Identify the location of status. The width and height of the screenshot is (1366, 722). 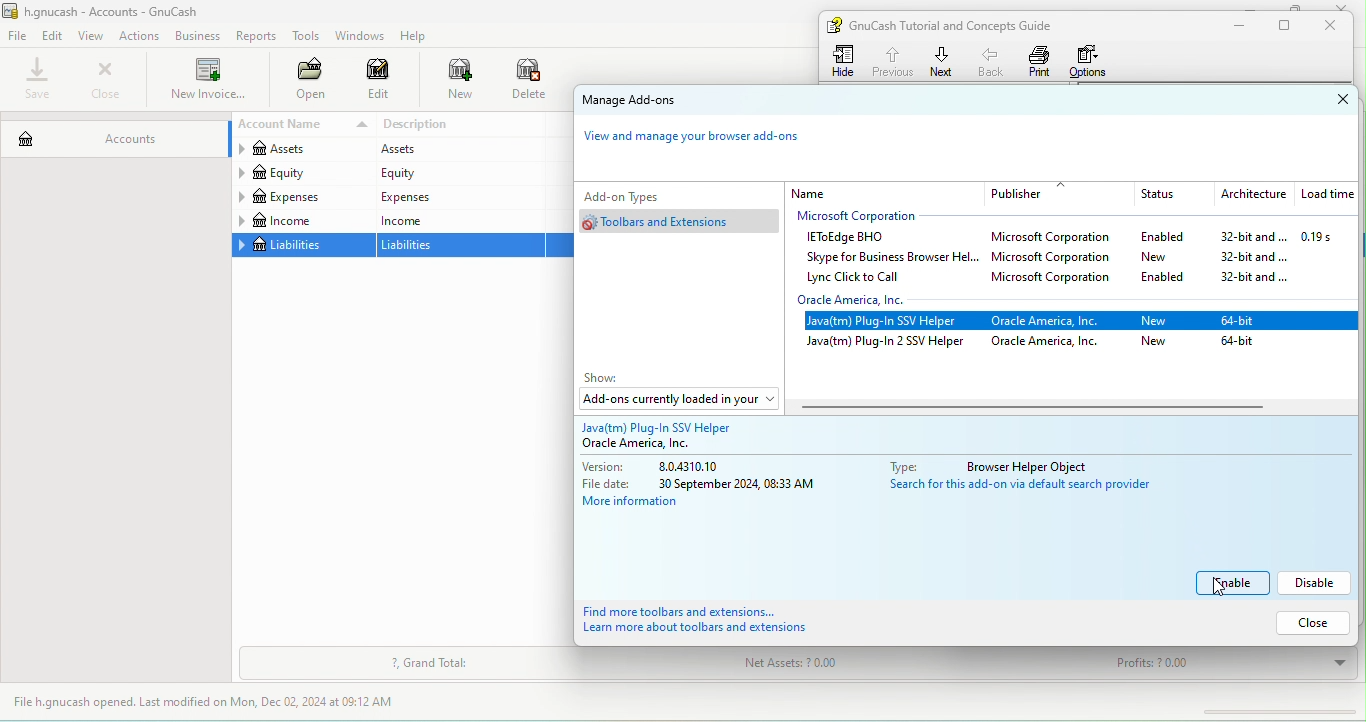
(1168, 195).